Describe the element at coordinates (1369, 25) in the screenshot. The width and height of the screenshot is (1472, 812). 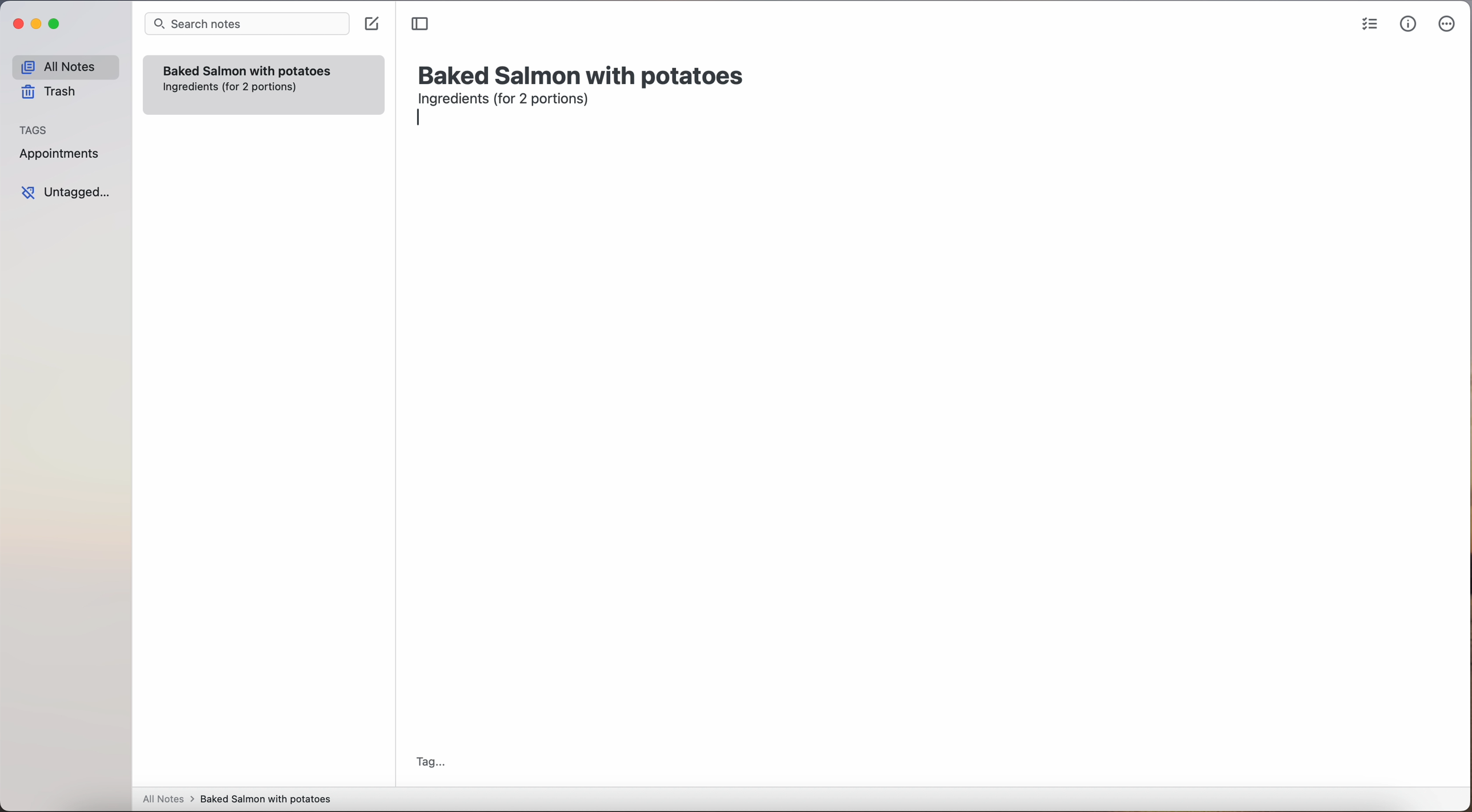
I see `check list` at that location.